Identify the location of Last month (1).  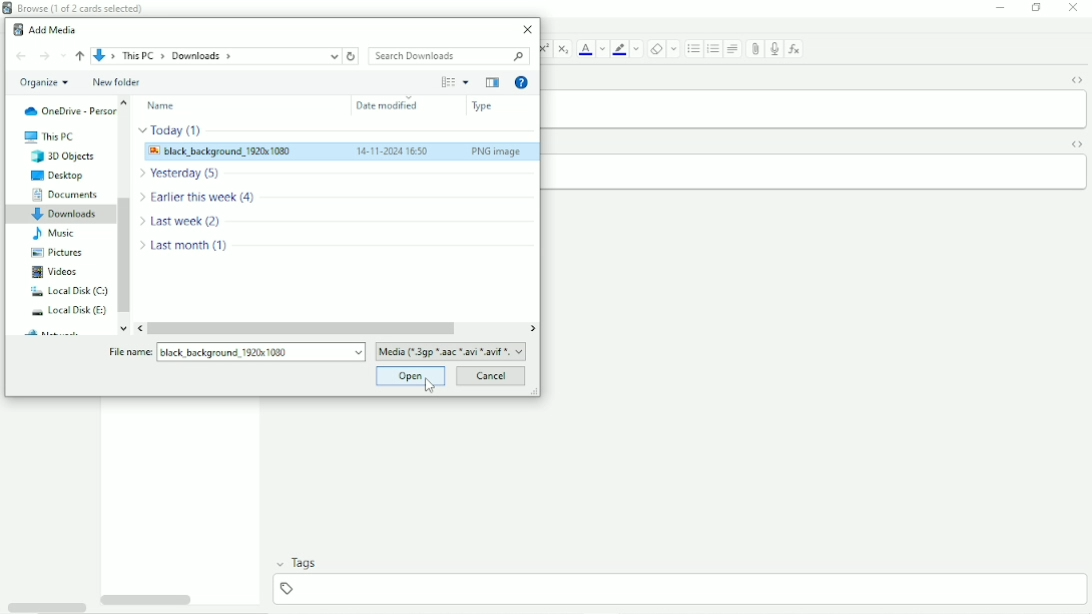
(184, 245).